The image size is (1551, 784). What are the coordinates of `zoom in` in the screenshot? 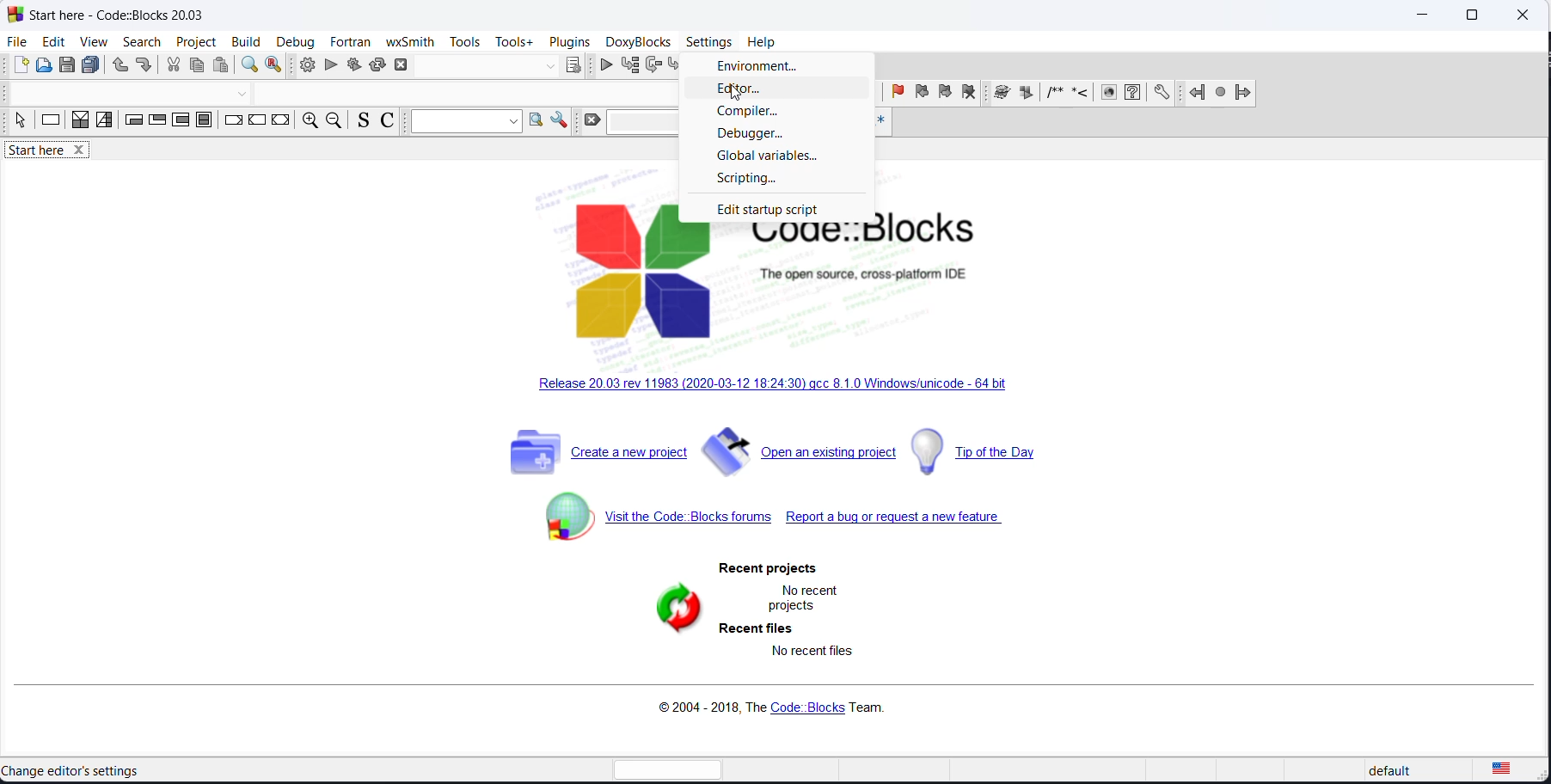 It's located at (307, 122).